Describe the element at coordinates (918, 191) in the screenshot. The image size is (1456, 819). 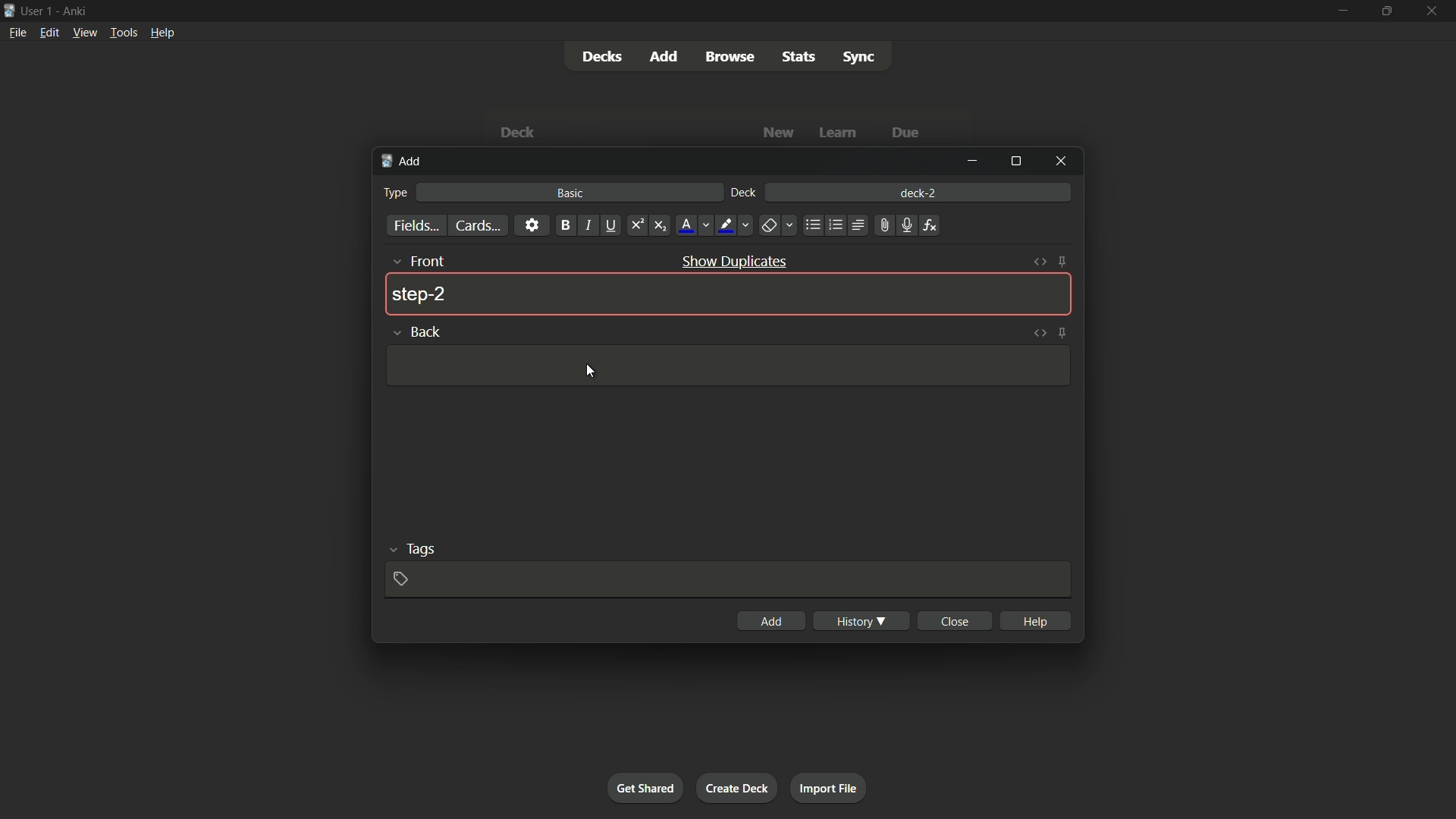
I see `deck-2` at that location.